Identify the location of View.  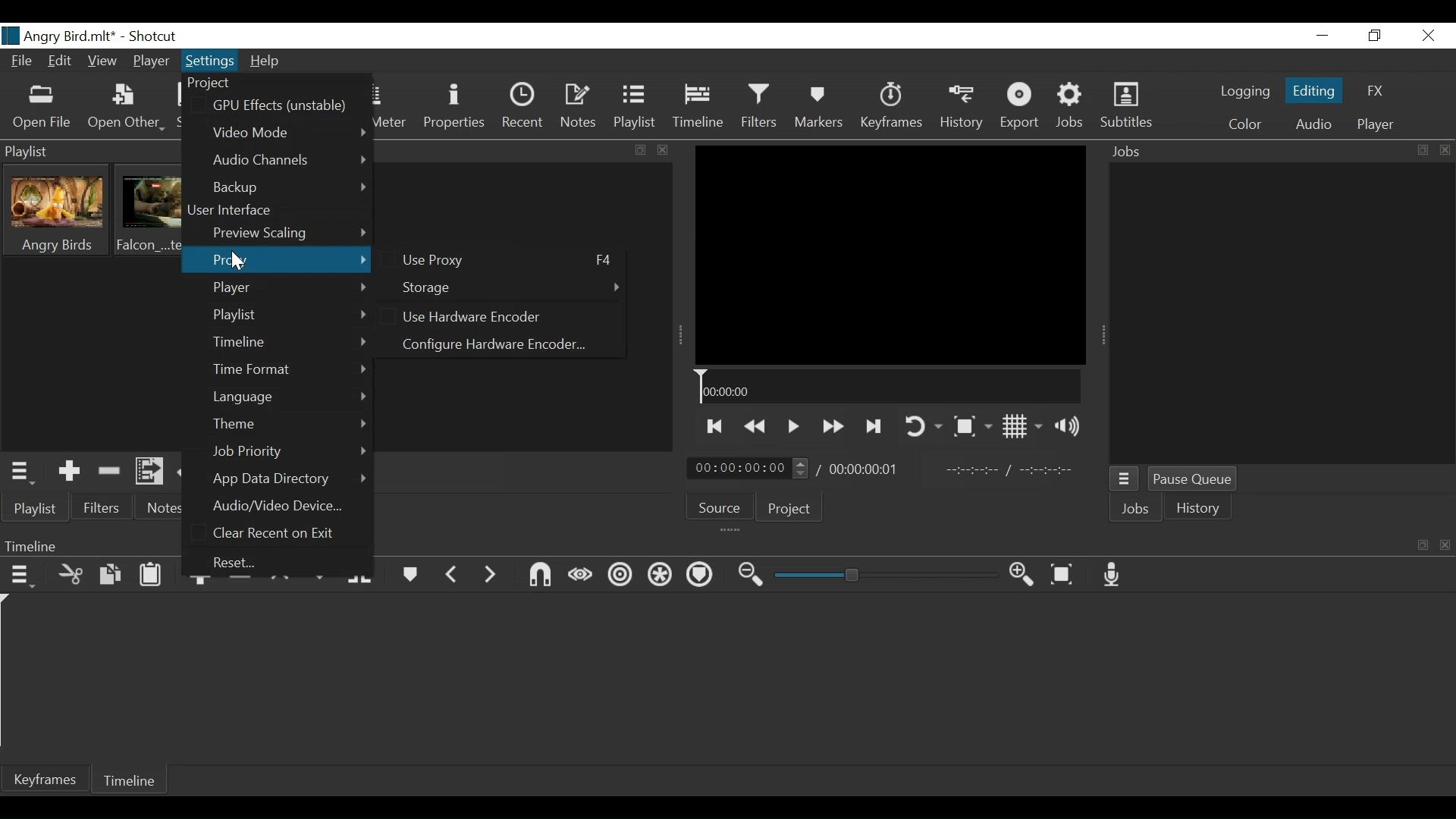
(104, 60).